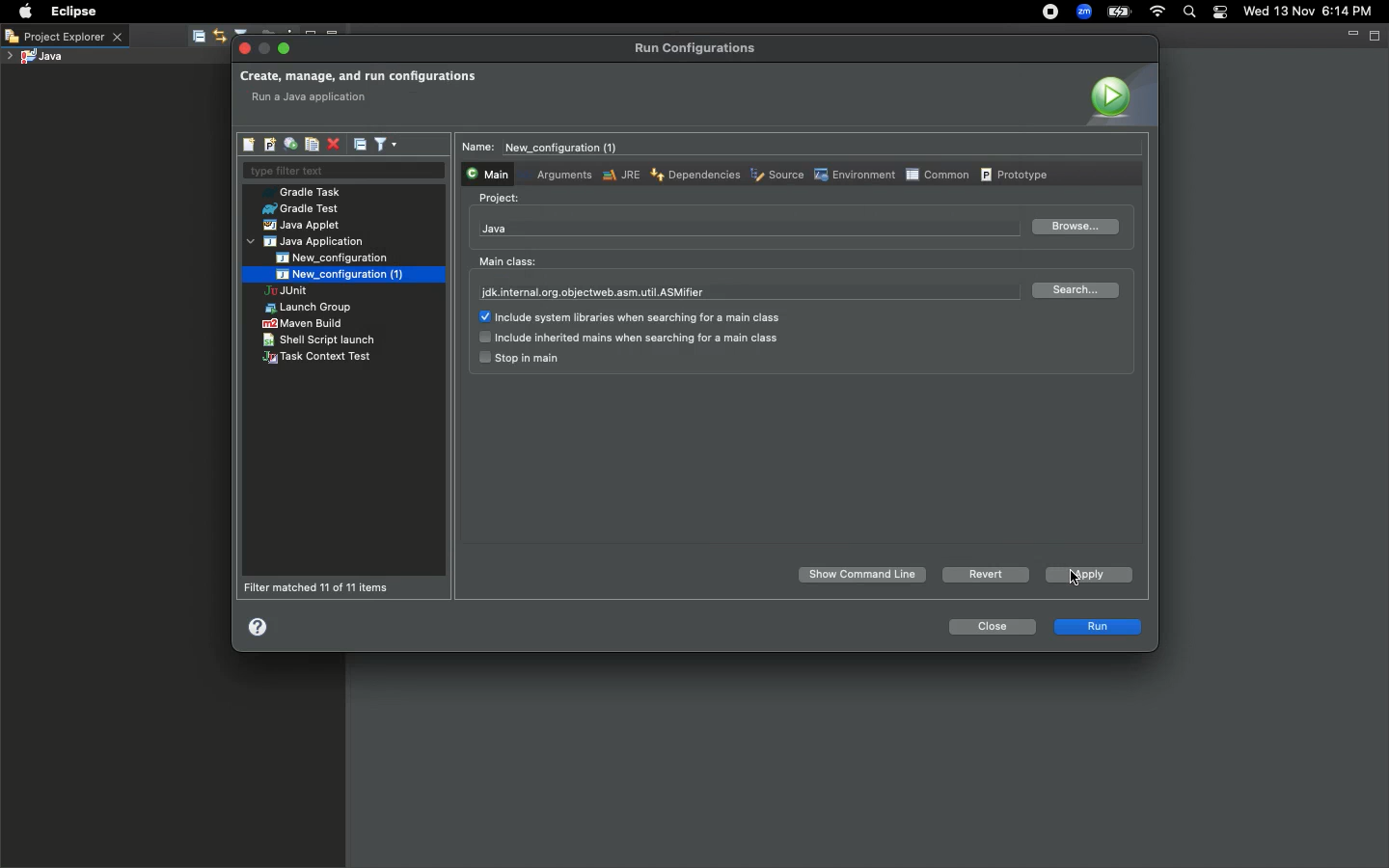 This screenshot has width=1389, height=868. What do you see at coordinates (268, 145) in the screenshot?
I see `New launch configuration prototype` at bounding box center [268, 145].